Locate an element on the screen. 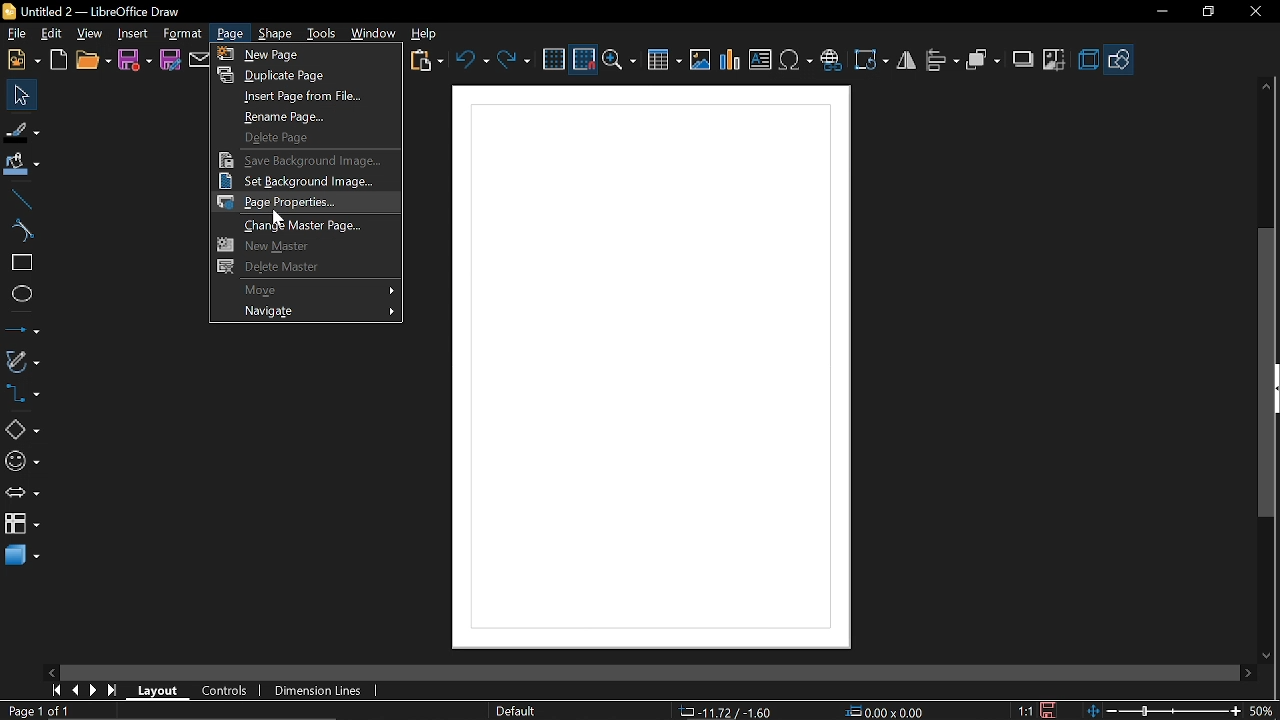  Rotate is located at coordinates (872, 61).